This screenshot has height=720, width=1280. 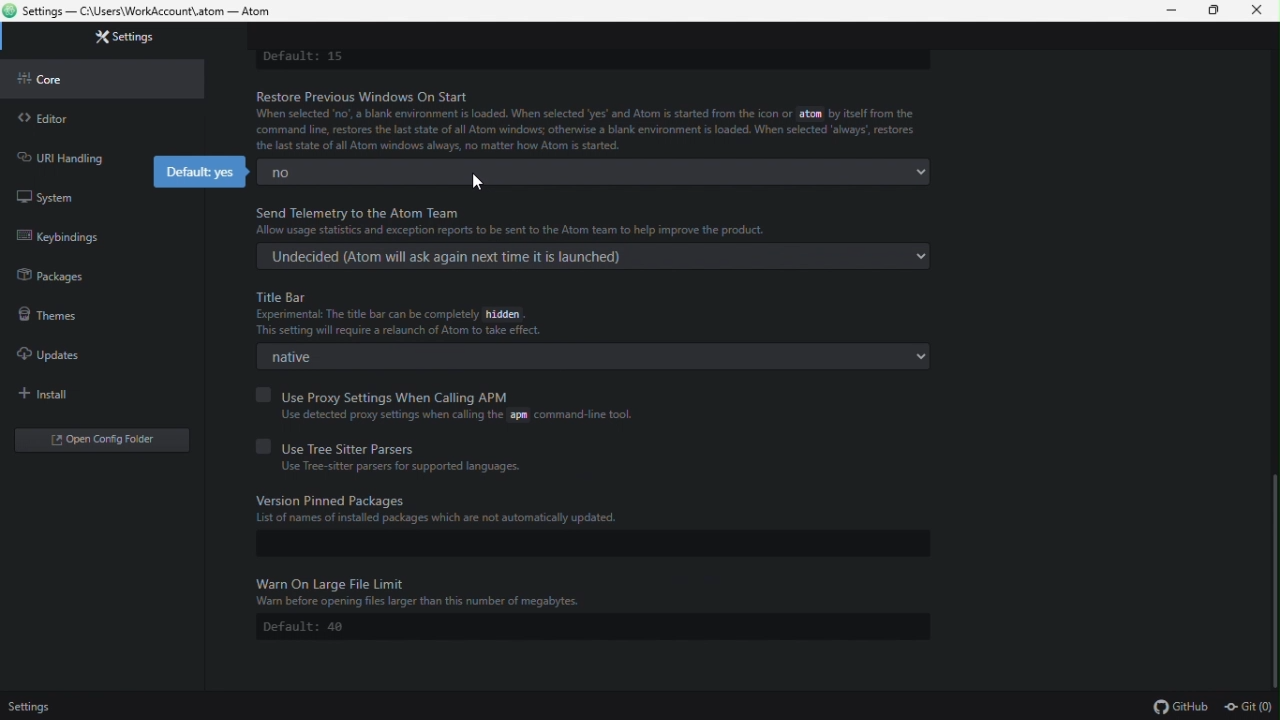 I want to click on Default: 40, so click(x=316, y=628).